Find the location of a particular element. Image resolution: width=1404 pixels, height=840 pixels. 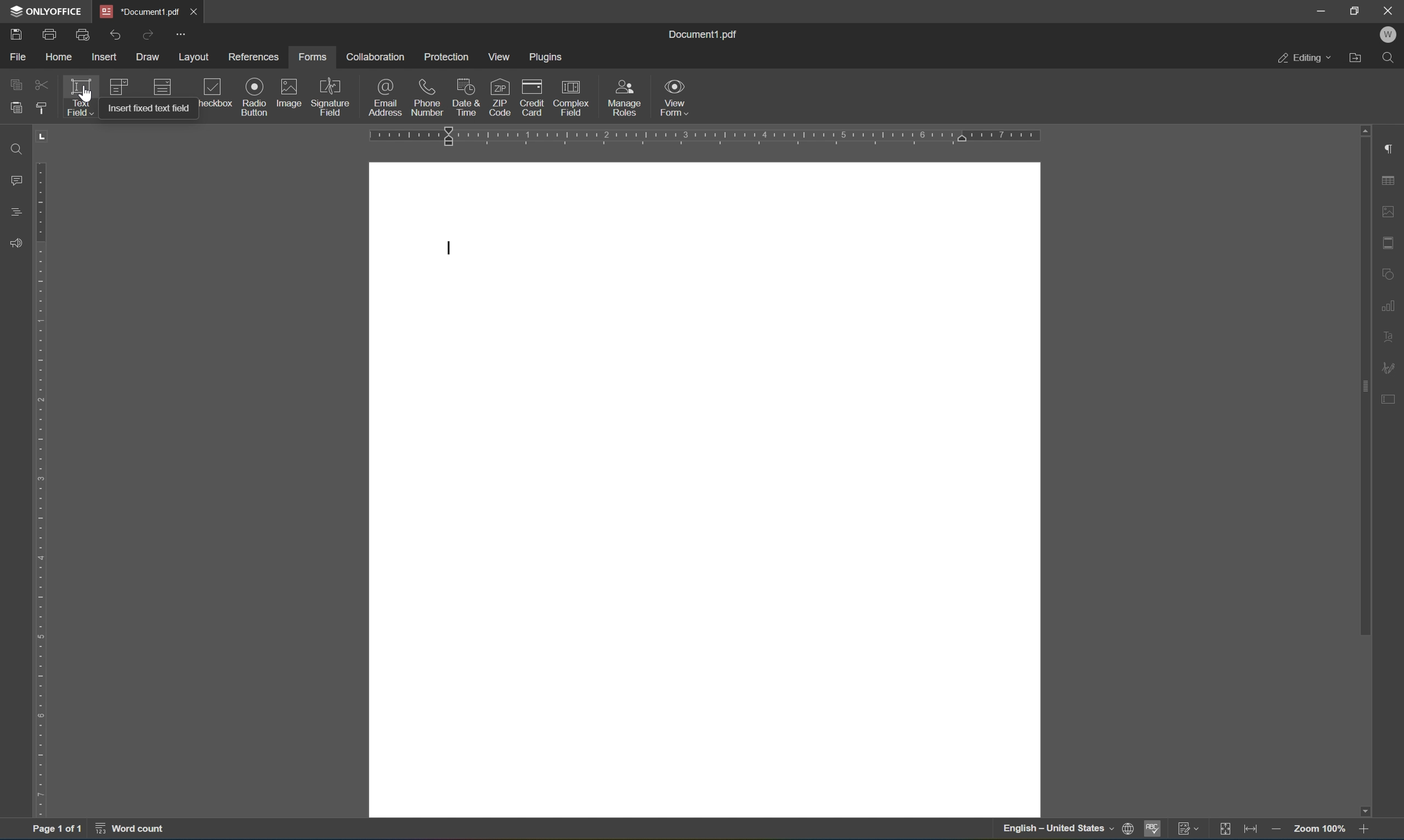

credit card is located at coordinates (532, 100).